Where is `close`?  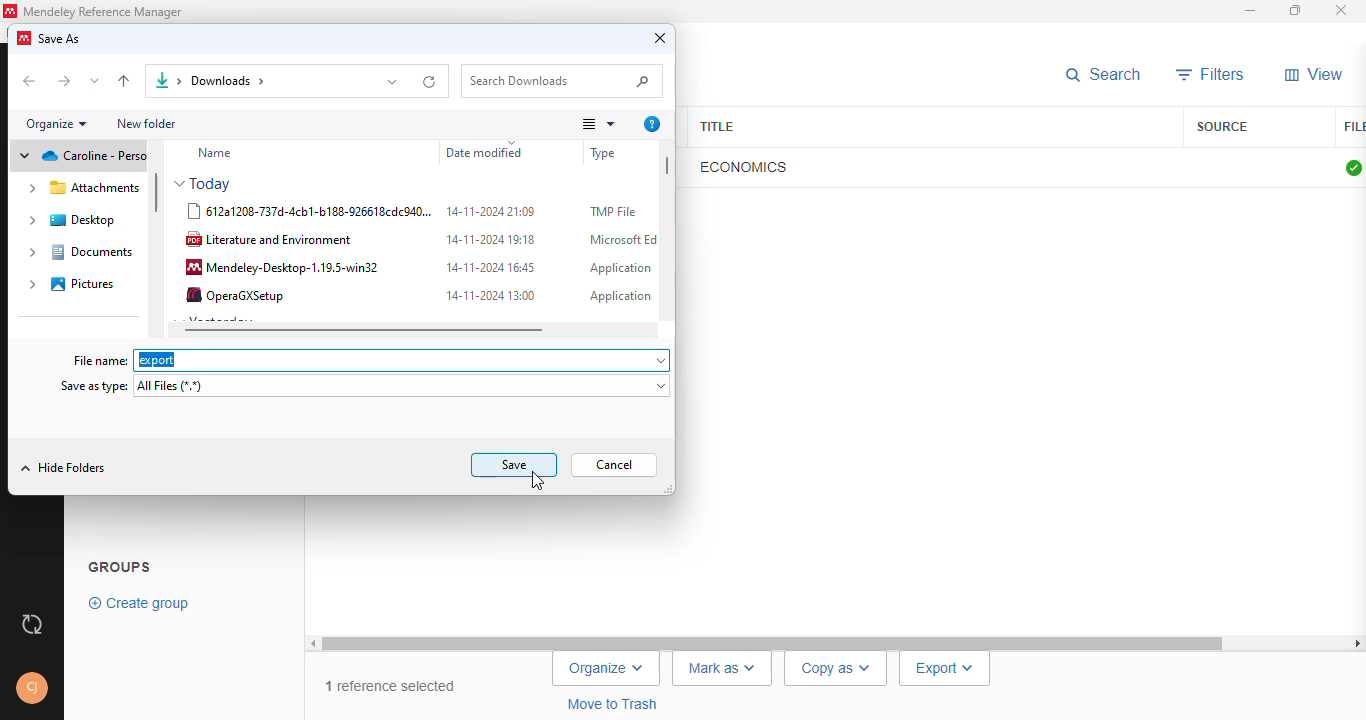
close is located at coordinates (1343, 11).